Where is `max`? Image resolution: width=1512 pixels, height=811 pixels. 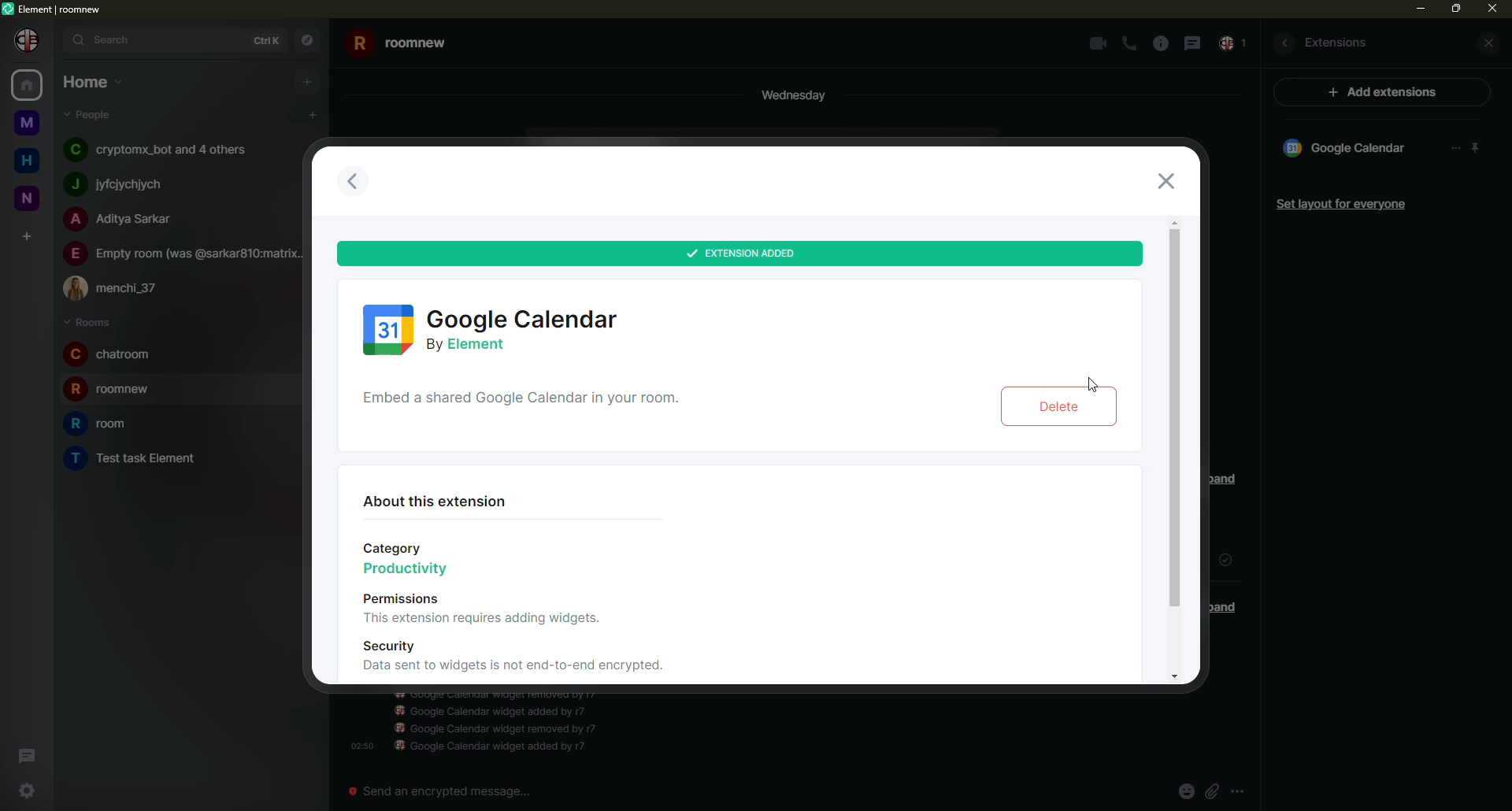
max is located at coordinates (1454, 10).